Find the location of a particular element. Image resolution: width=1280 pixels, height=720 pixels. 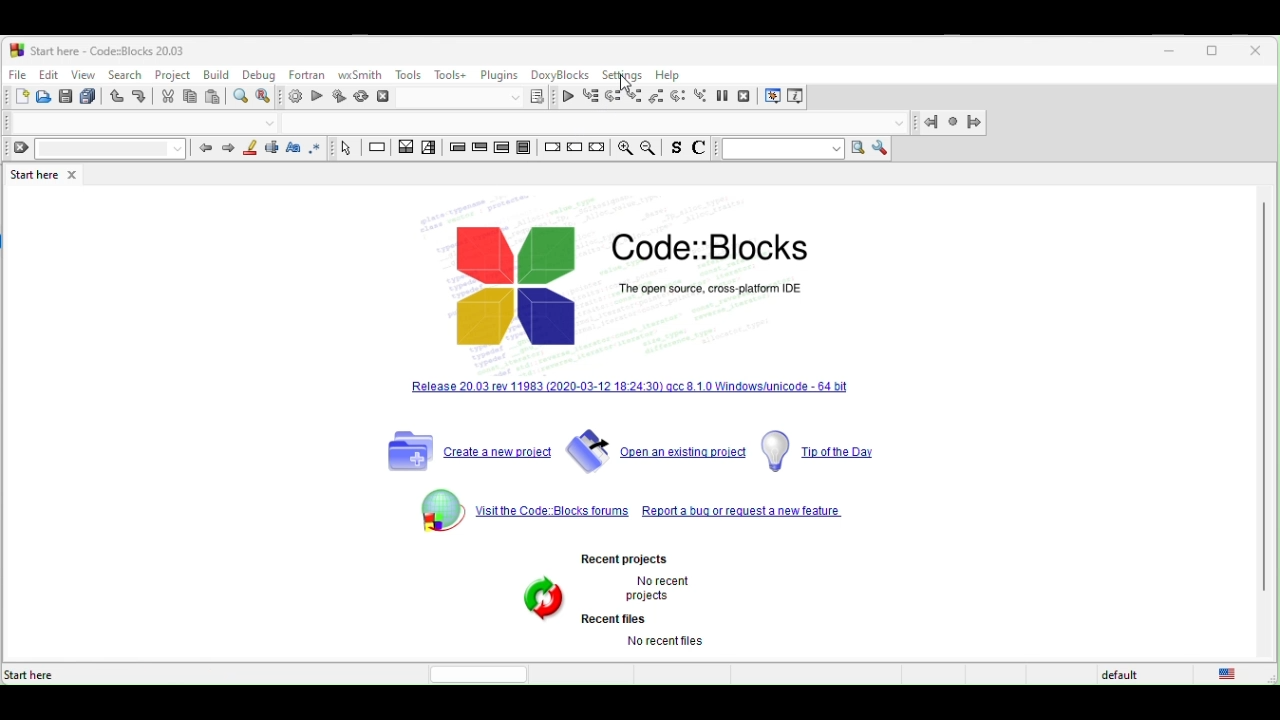

rebuild is located at coordinates (364, 98).